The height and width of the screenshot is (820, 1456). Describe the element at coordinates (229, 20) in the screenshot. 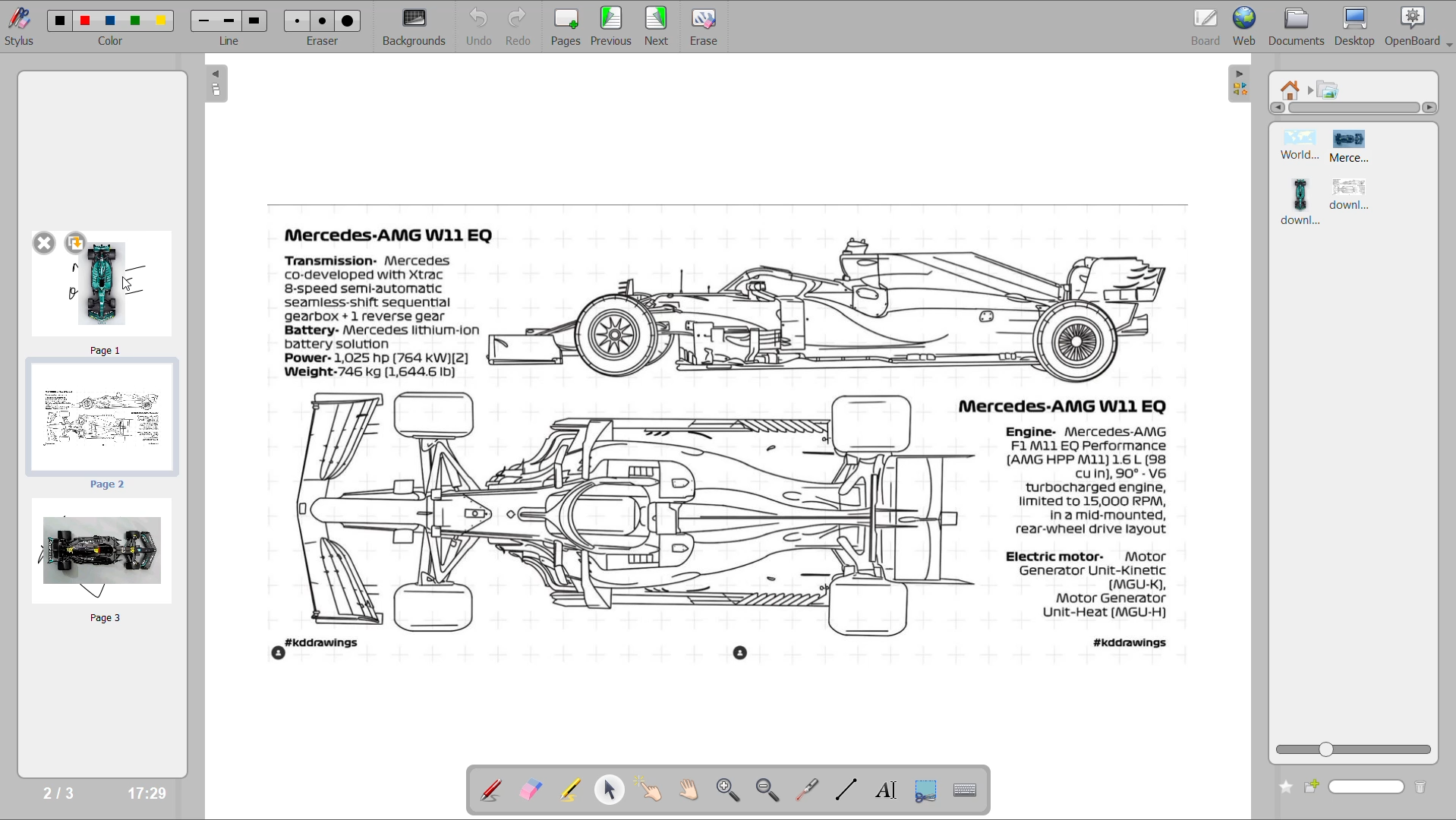

I see `medium line` at that location.